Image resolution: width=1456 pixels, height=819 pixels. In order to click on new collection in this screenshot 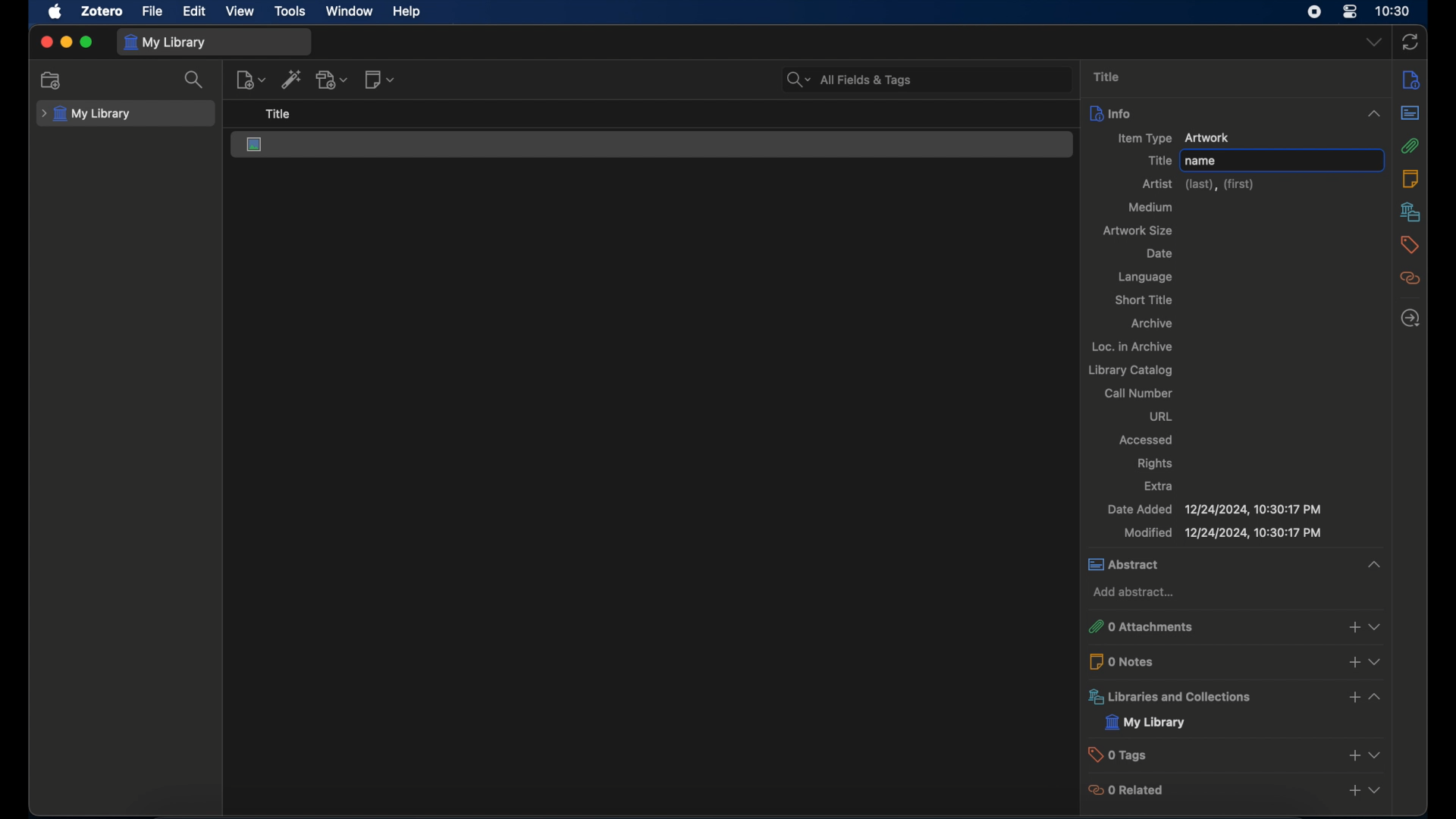, I will do `click(51, 80)`.